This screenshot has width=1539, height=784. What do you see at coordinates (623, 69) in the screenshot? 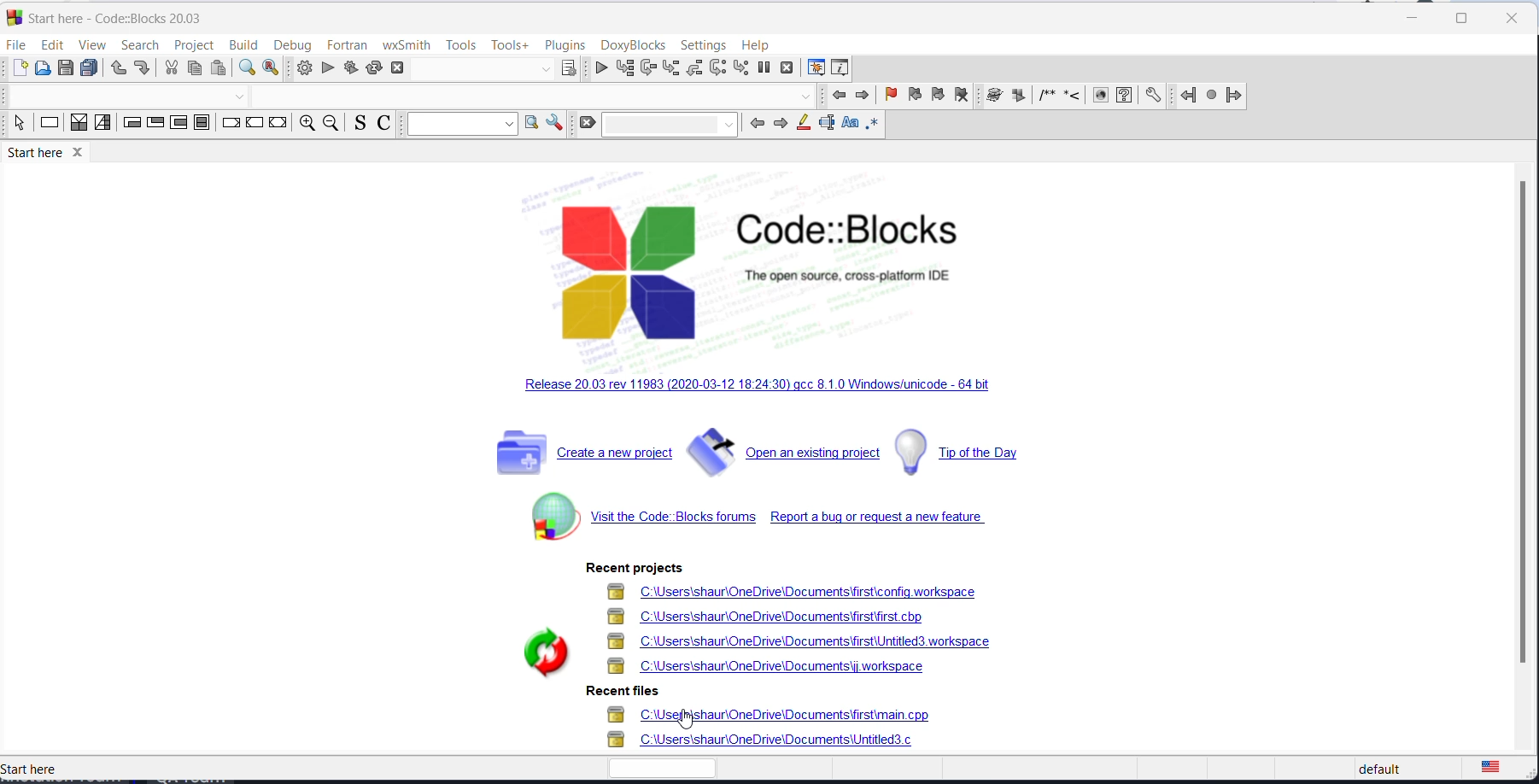
I see `RUN TO CURSOR` at bounding box center [623, 69].